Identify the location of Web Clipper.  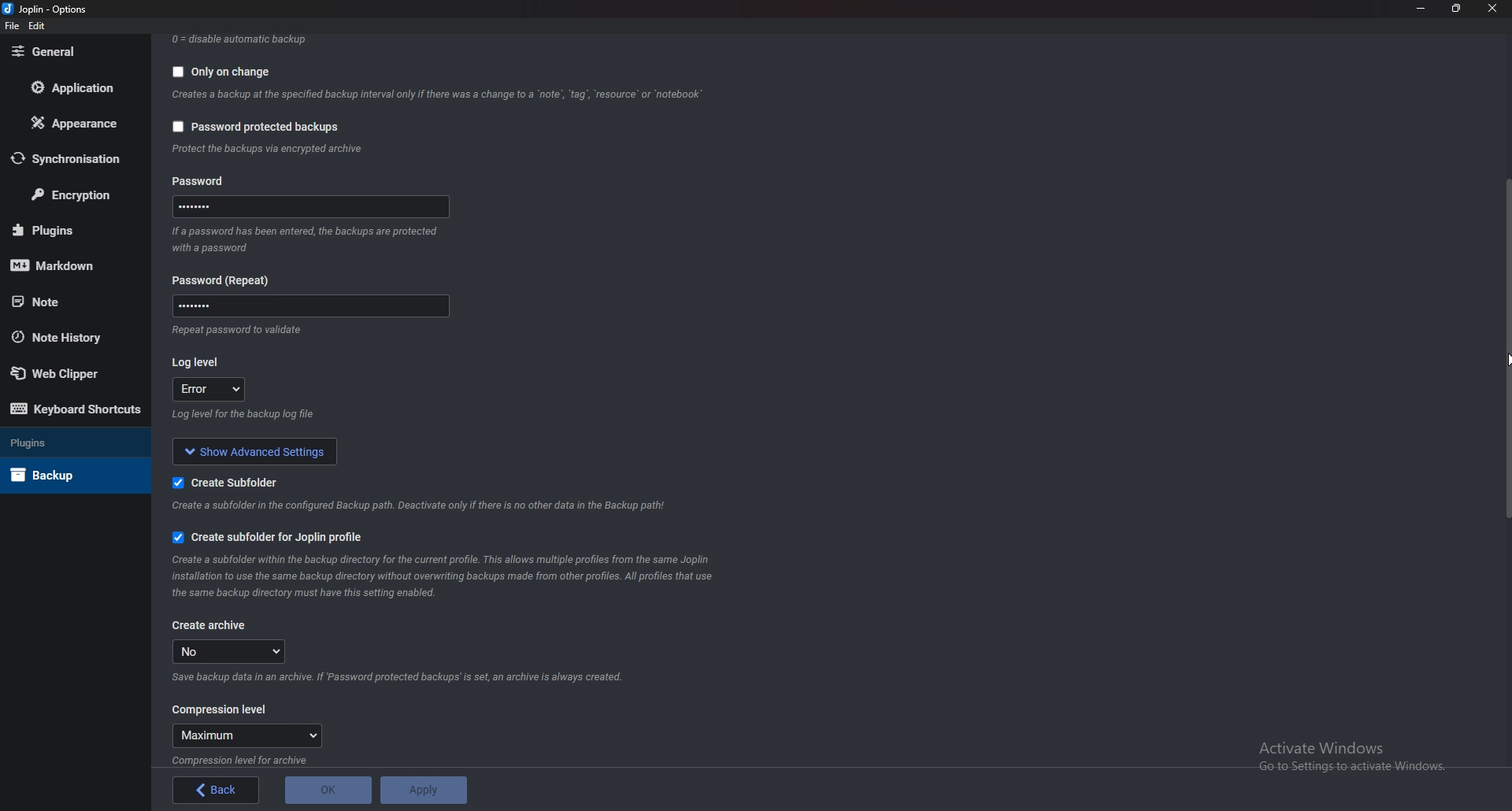
(73, 373).